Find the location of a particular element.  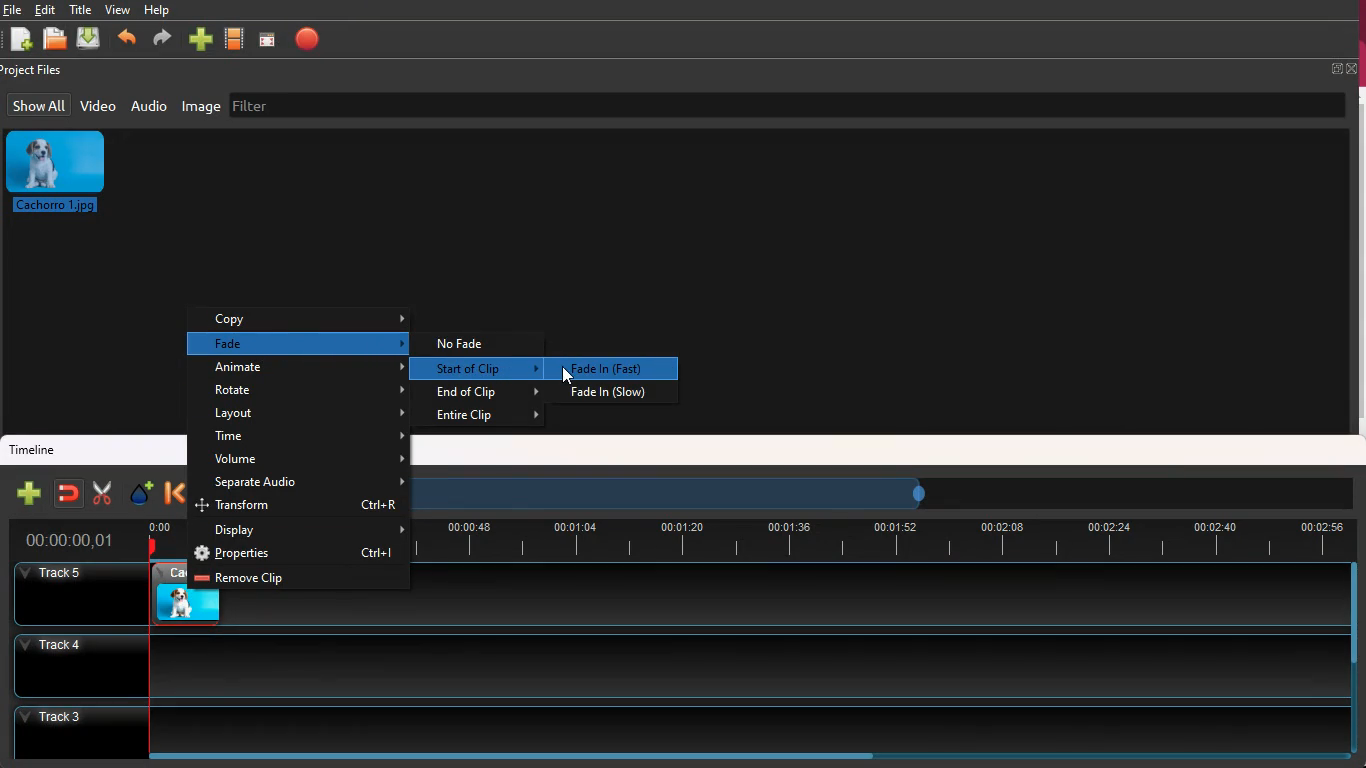

track5 is located at coordinates (78, 594).